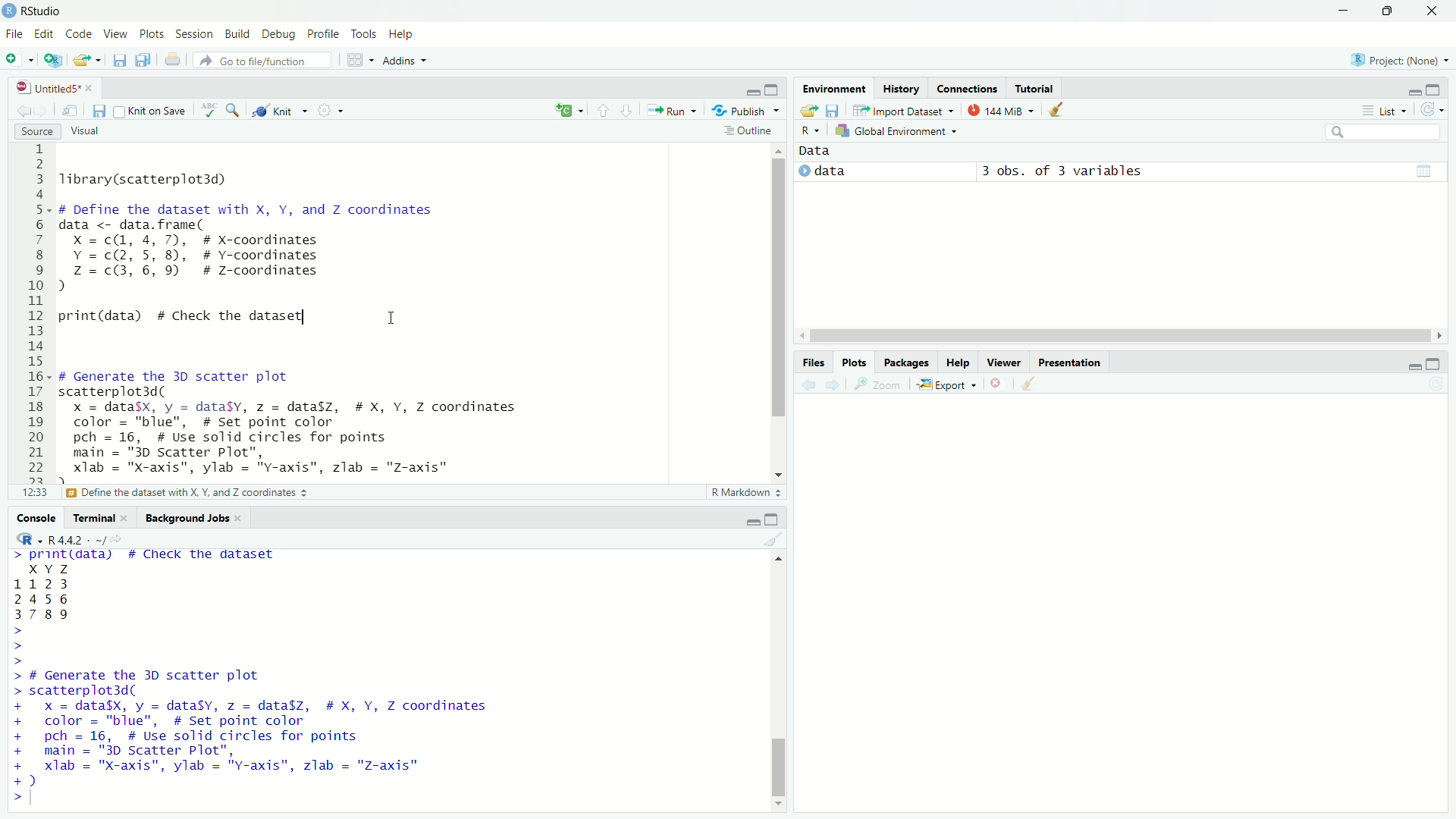 Image resolution: width=1456 pixels, height=819 pixels. I want to click on knit on save, so click(149, 111).